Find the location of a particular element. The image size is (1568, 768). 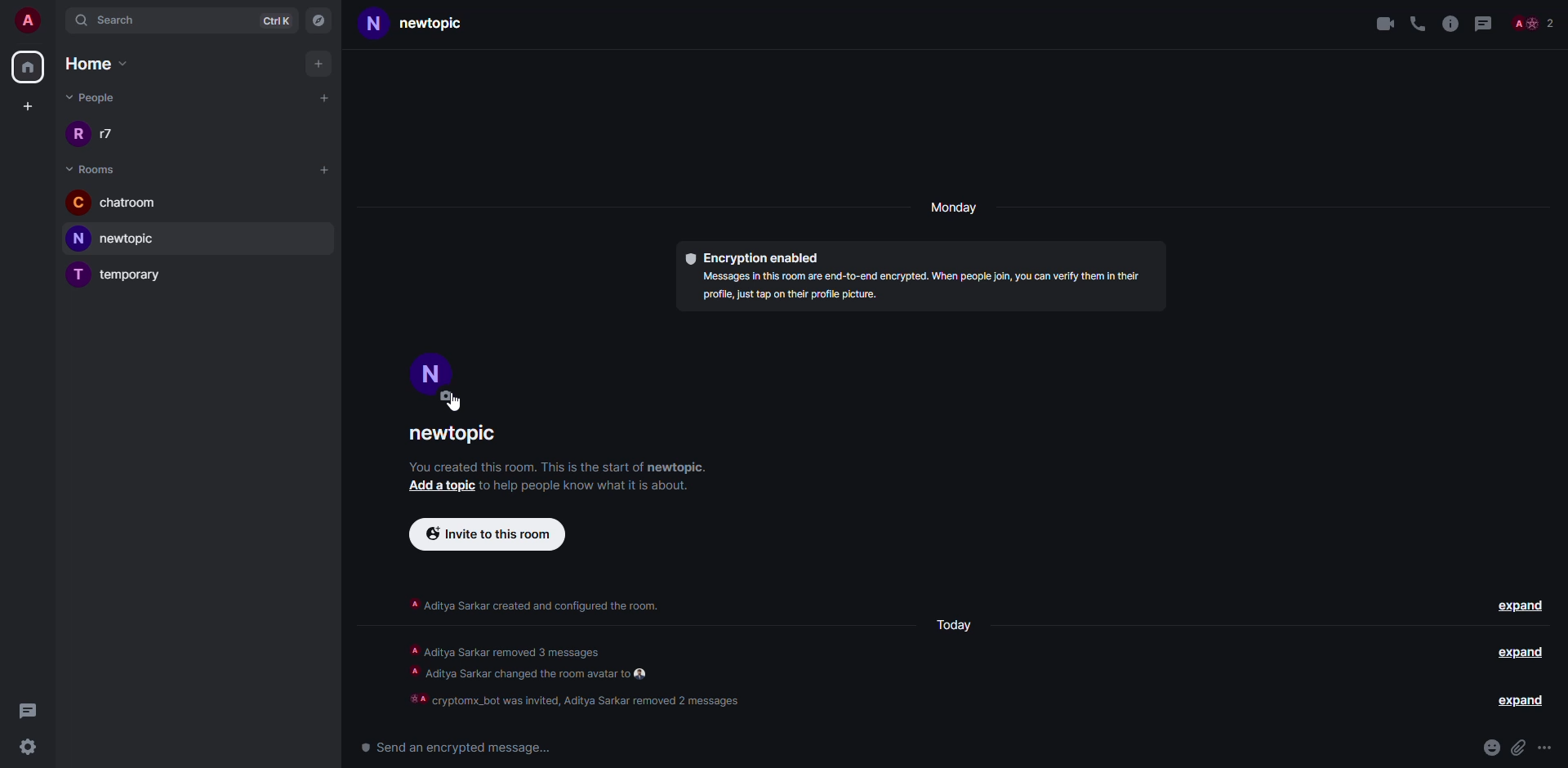

threads is located at coordinates (1483, 23).